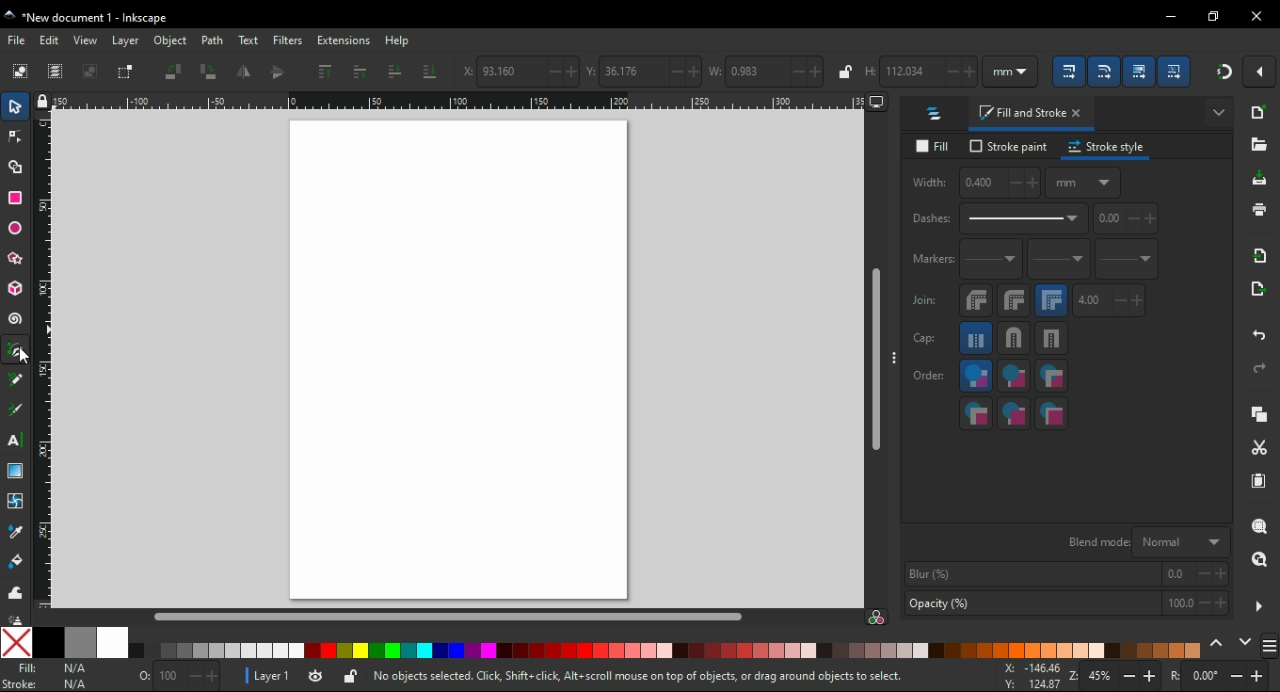 The height and width of the screenshot is (692, 1280). What do you see at coordinates (935, 113) in the screenshot?
I see `layers and objects` at bounding box center [935, 113].